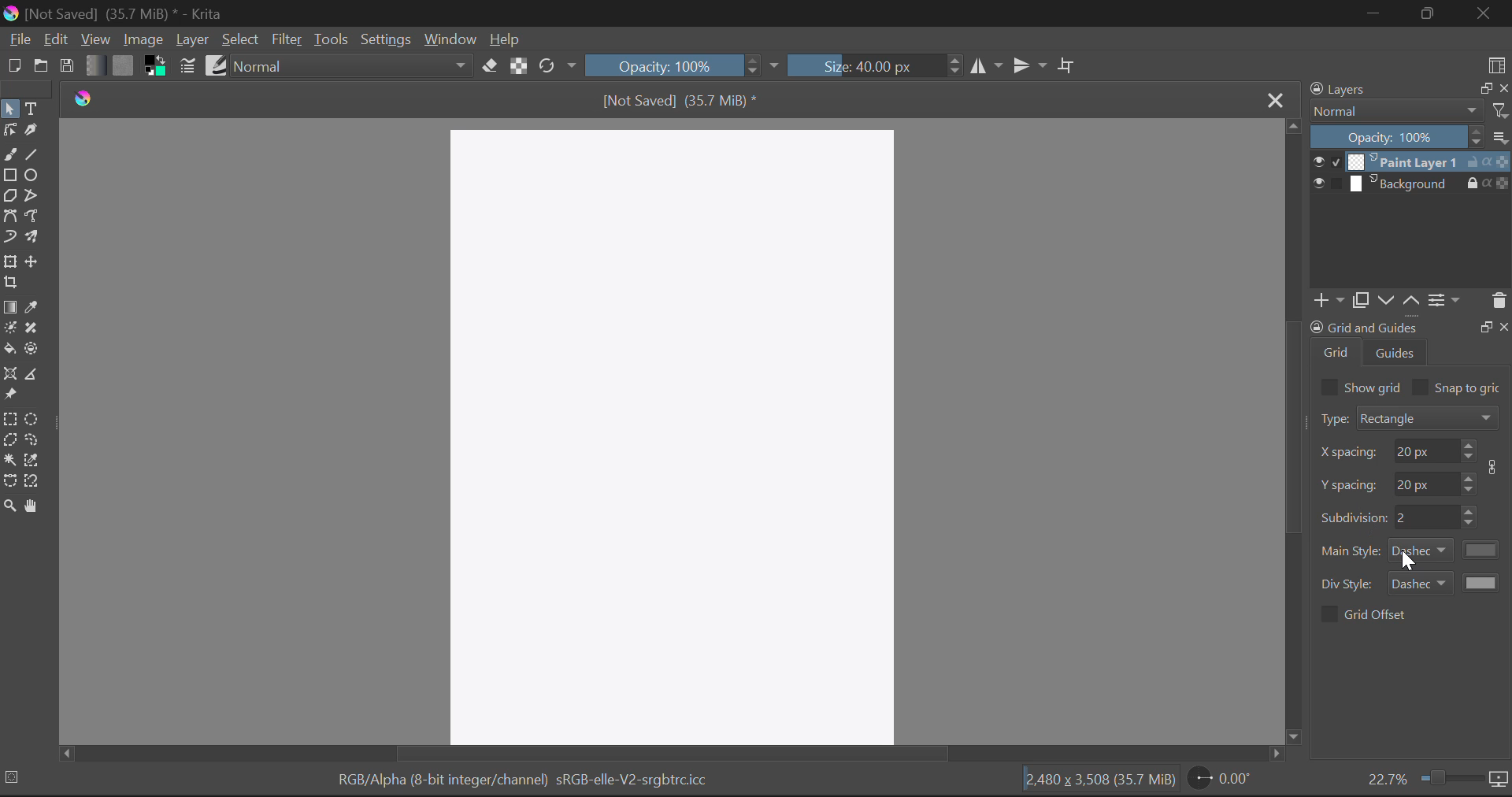 The width and height of the screenshot is (1512, 797). What do you see at coordinates (36, 218) in the screenshot?
I see `Freehand Path Tool` at bounding box center [36, 218].